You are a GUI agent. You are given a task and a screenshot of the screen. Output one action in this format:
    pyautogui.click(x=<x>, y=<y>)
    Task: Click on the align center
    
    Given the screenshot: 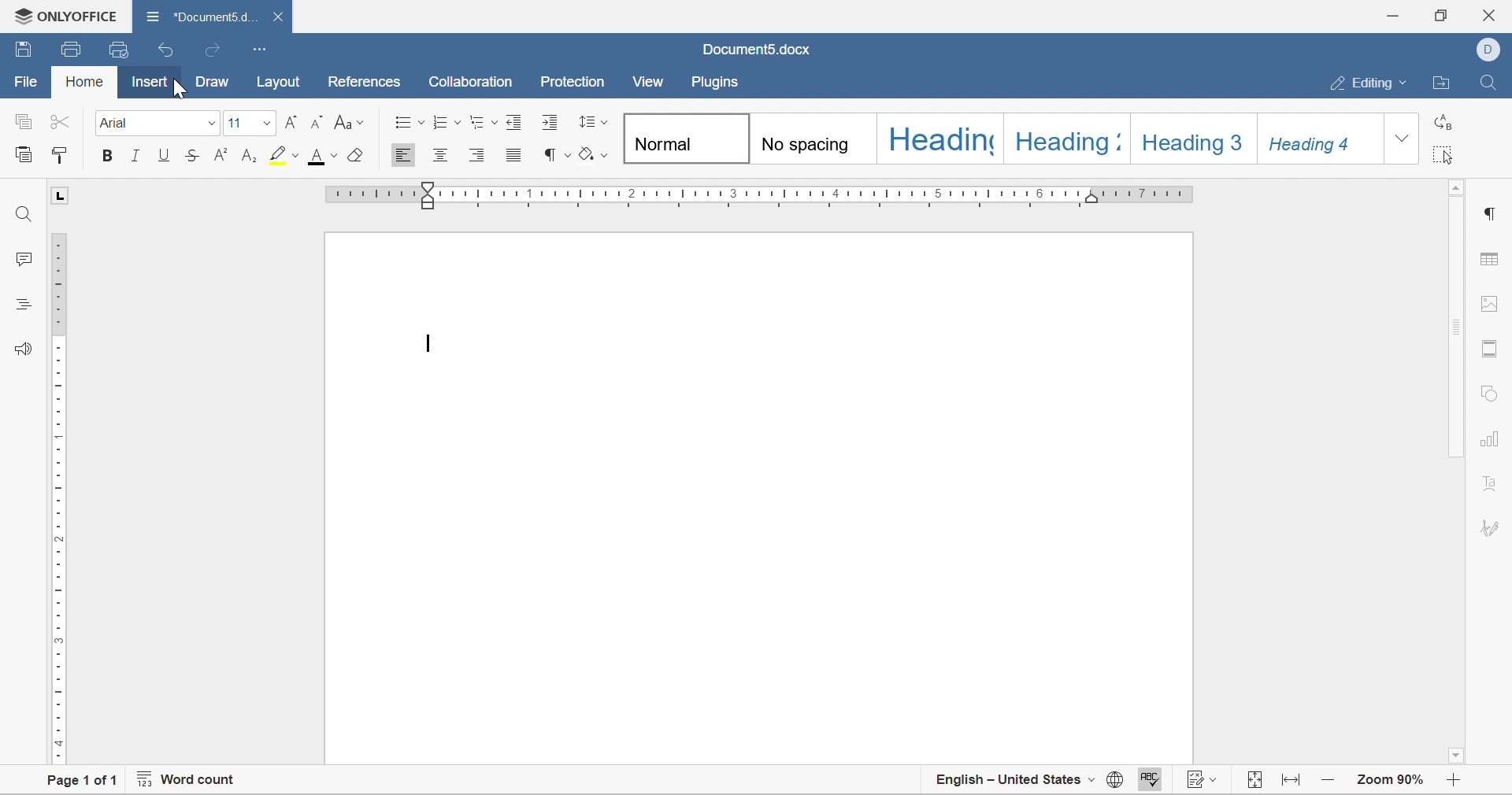 What is the action you would take?
    pyautogui.click(x=443, y=153)
    